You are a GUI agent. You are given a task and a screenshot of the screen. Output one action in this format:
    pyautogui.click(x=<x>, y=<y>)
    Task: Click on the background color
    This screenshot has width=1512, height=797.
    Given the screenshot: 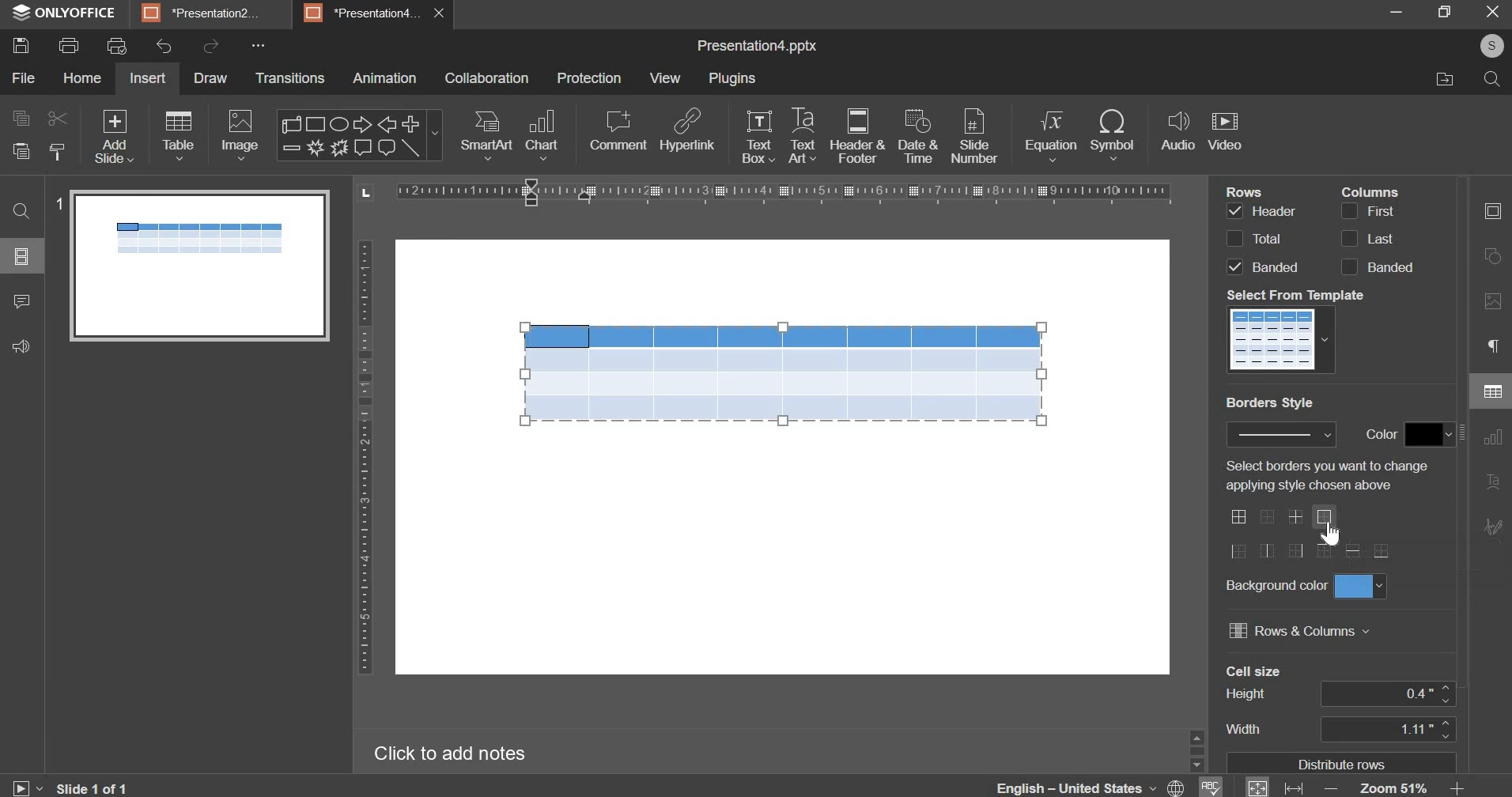 What is the action you would take?
    pyautogui.click(x=1306, y=585)
    